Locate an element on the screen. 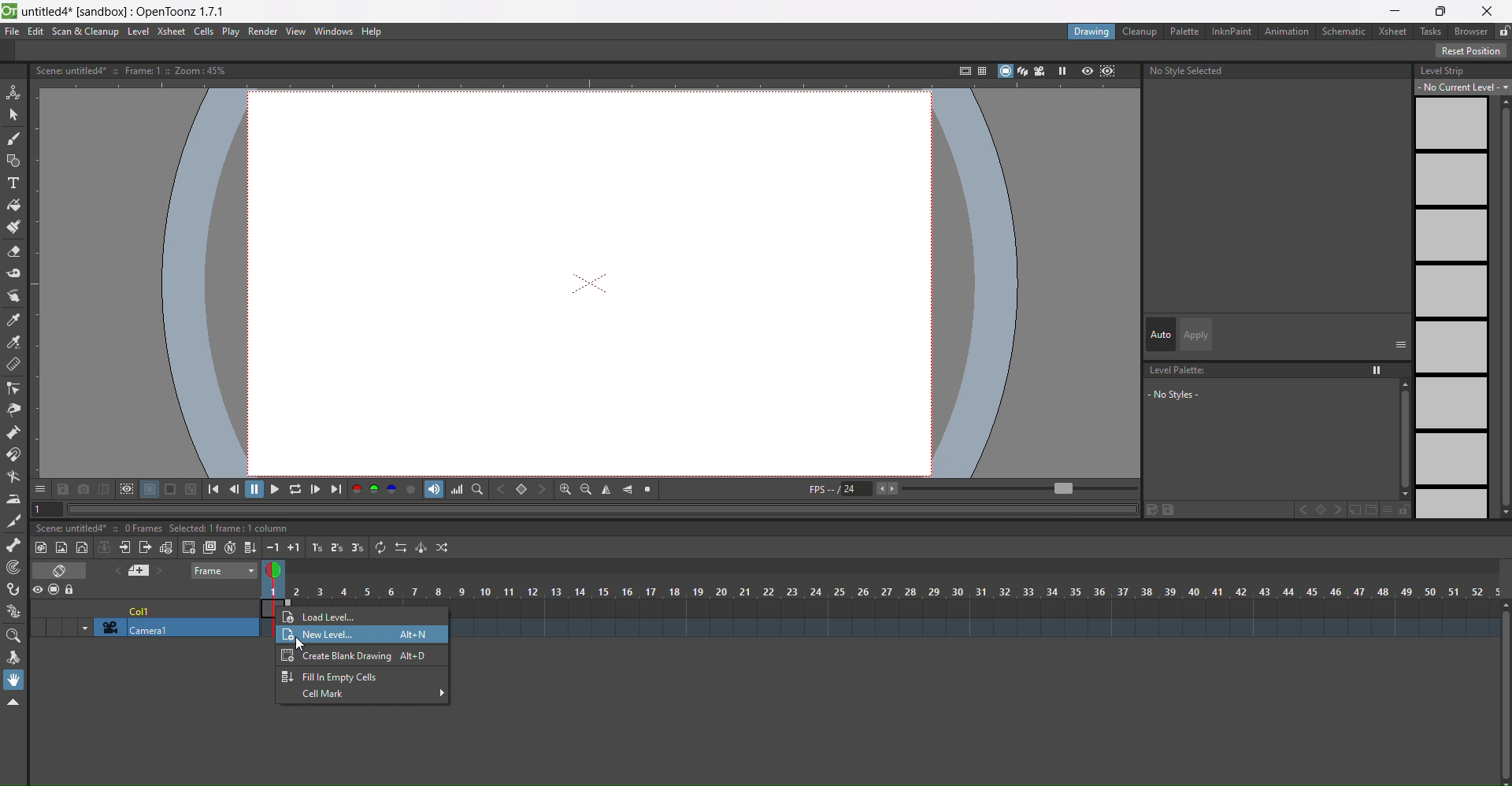 The width and height of the screenshot is (1512, 786). drawing is located at coordinates (1092, 33).